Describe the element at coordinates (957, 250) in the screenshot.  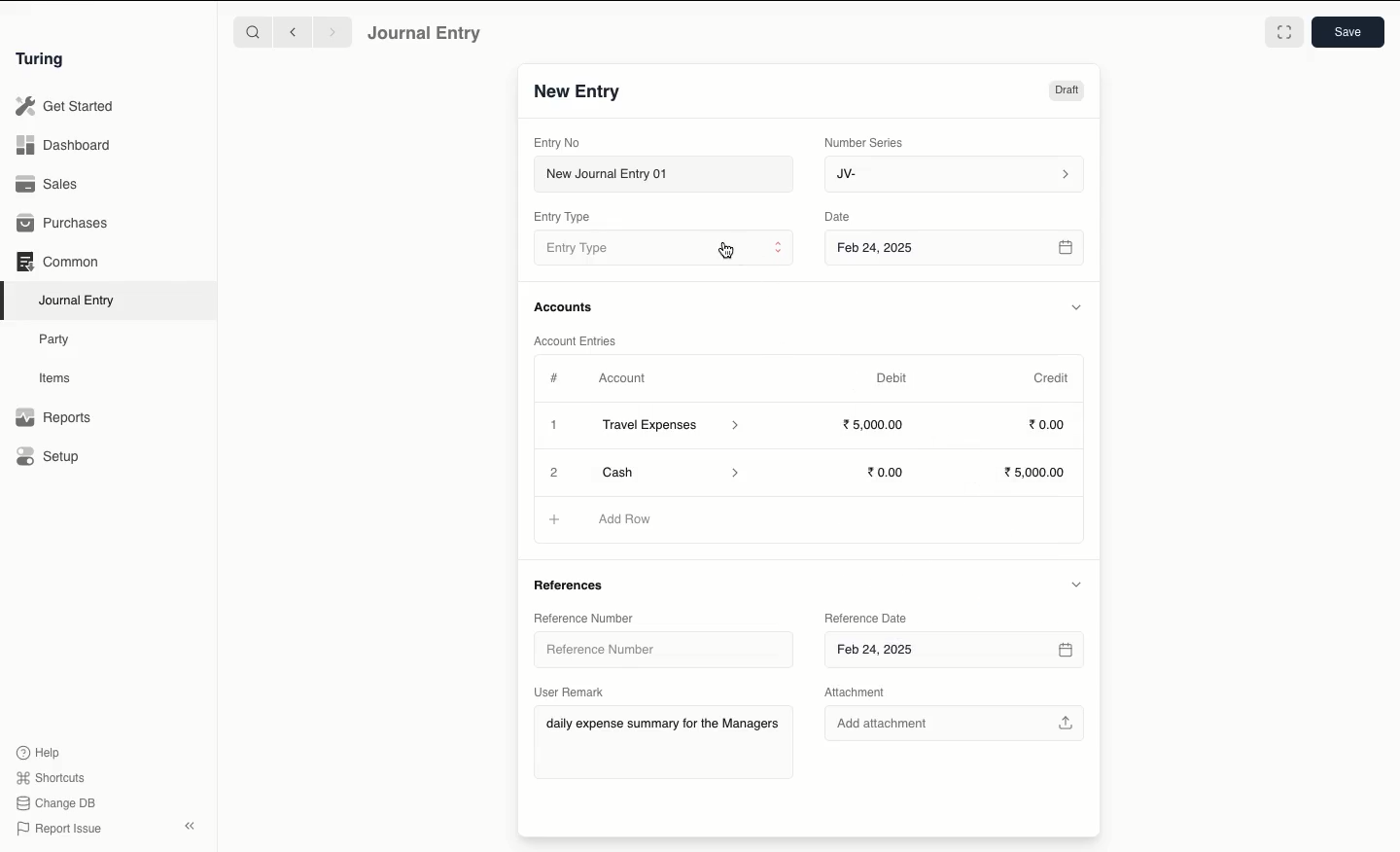
I see `Feb 24, 2025` at that location.